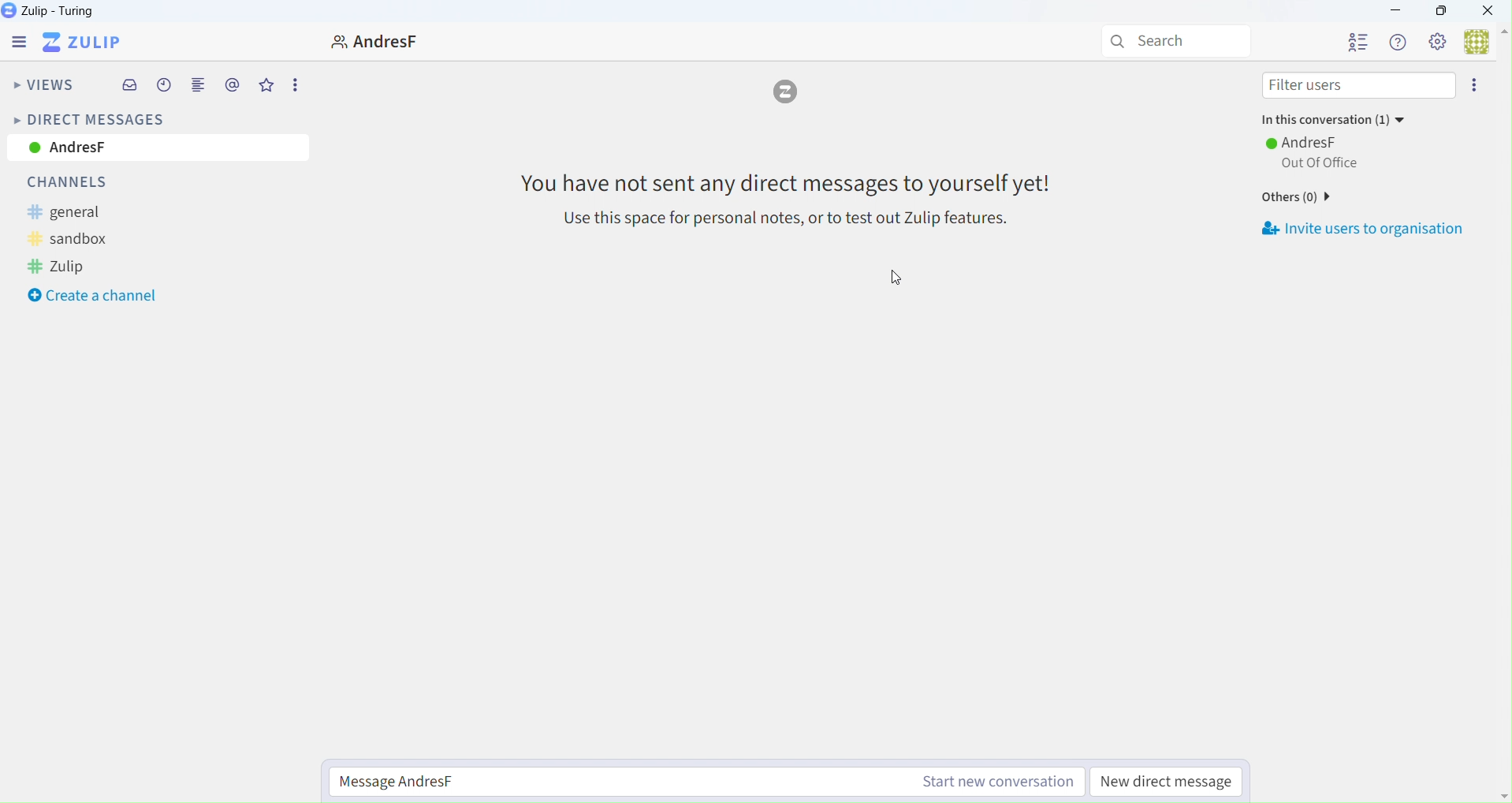 This screenshot has width=1512, height=803. What do you see at coordinates (1441, 10) in the screenshot?
I see `Box` at bounding box center [1441, 10].